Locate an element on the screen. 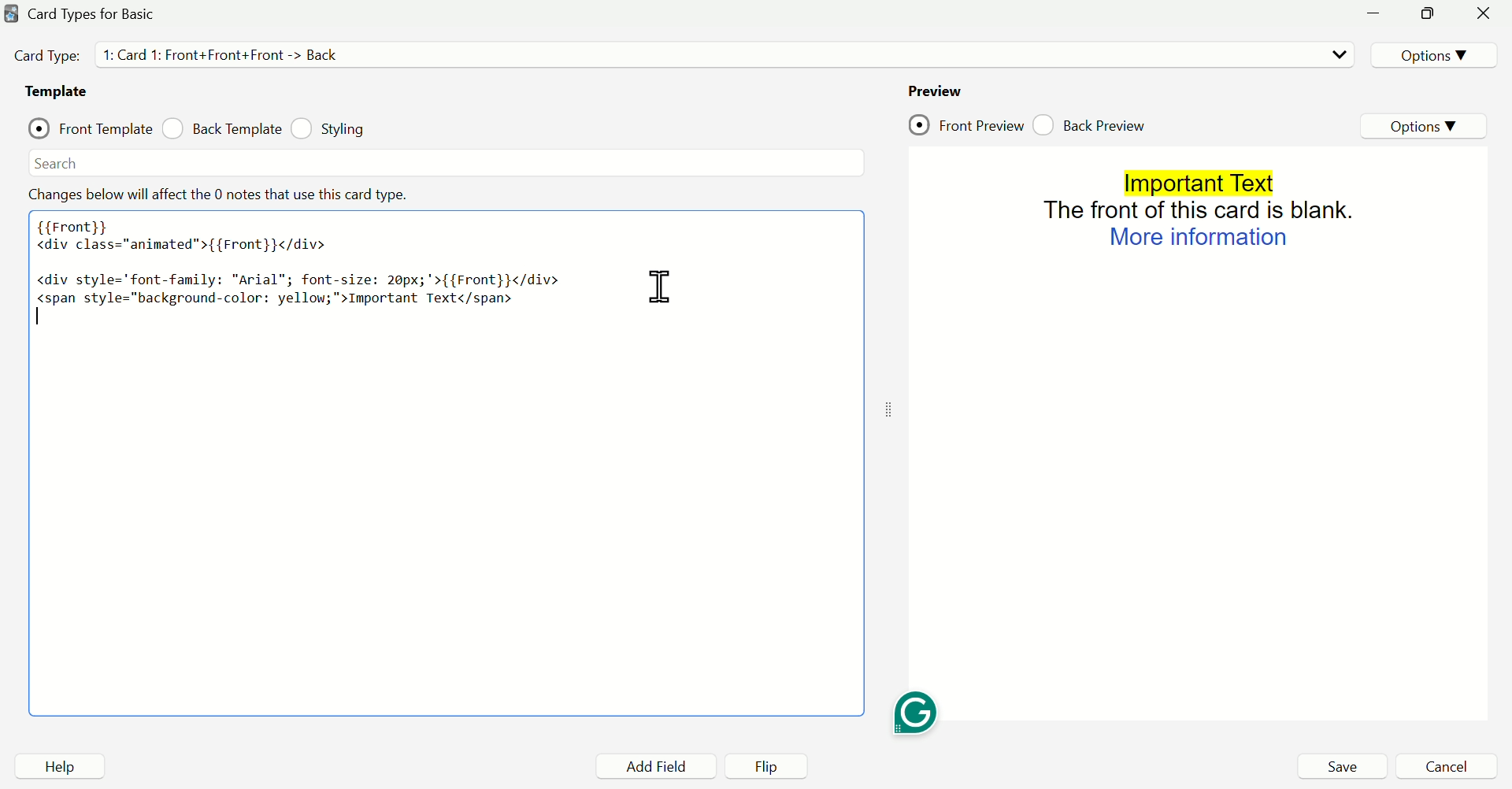  Card Types for Basic is located at coordinates (91, 14).